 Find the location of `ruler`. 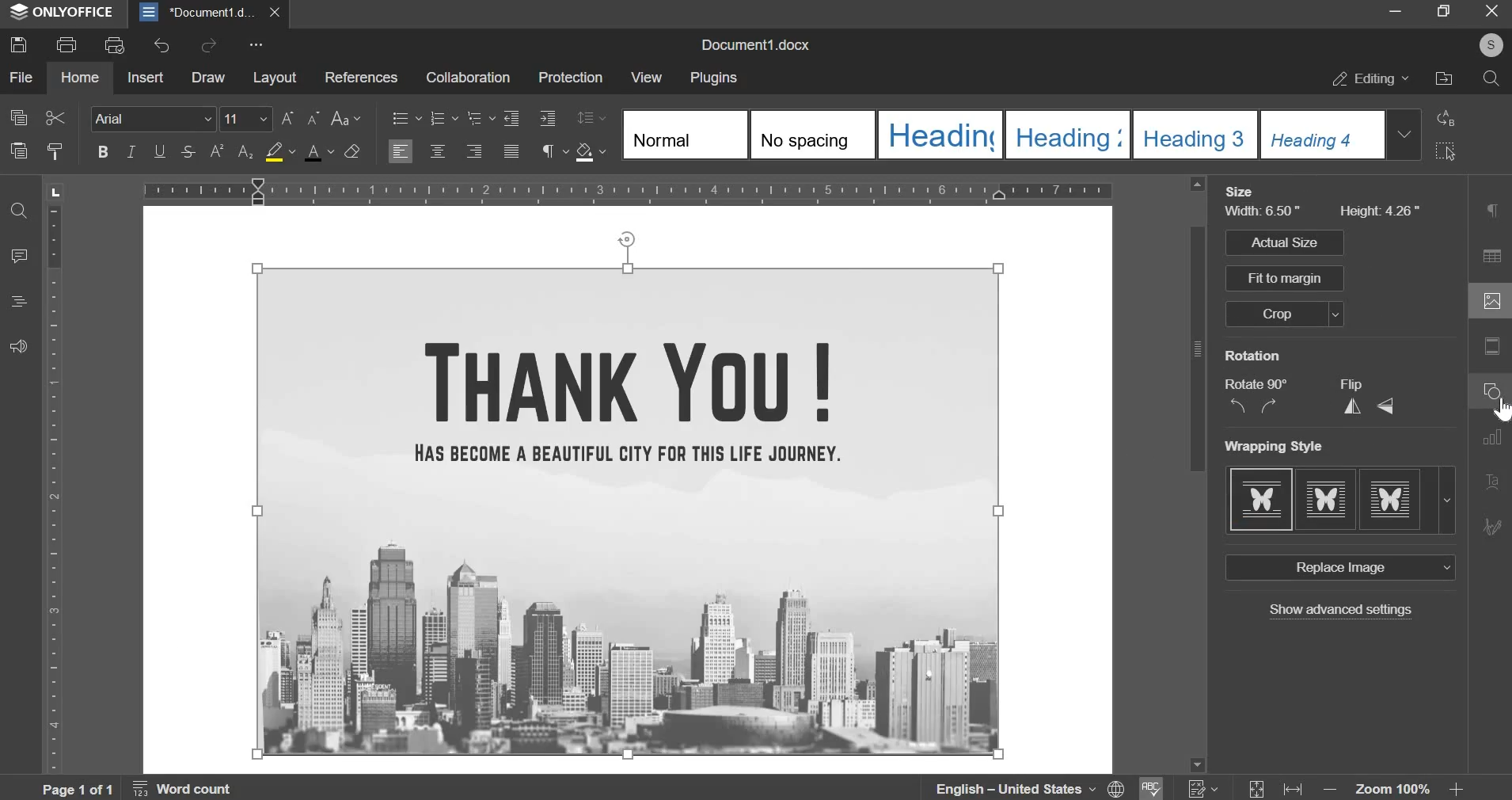

ruler is located at coordinates (629, 189).